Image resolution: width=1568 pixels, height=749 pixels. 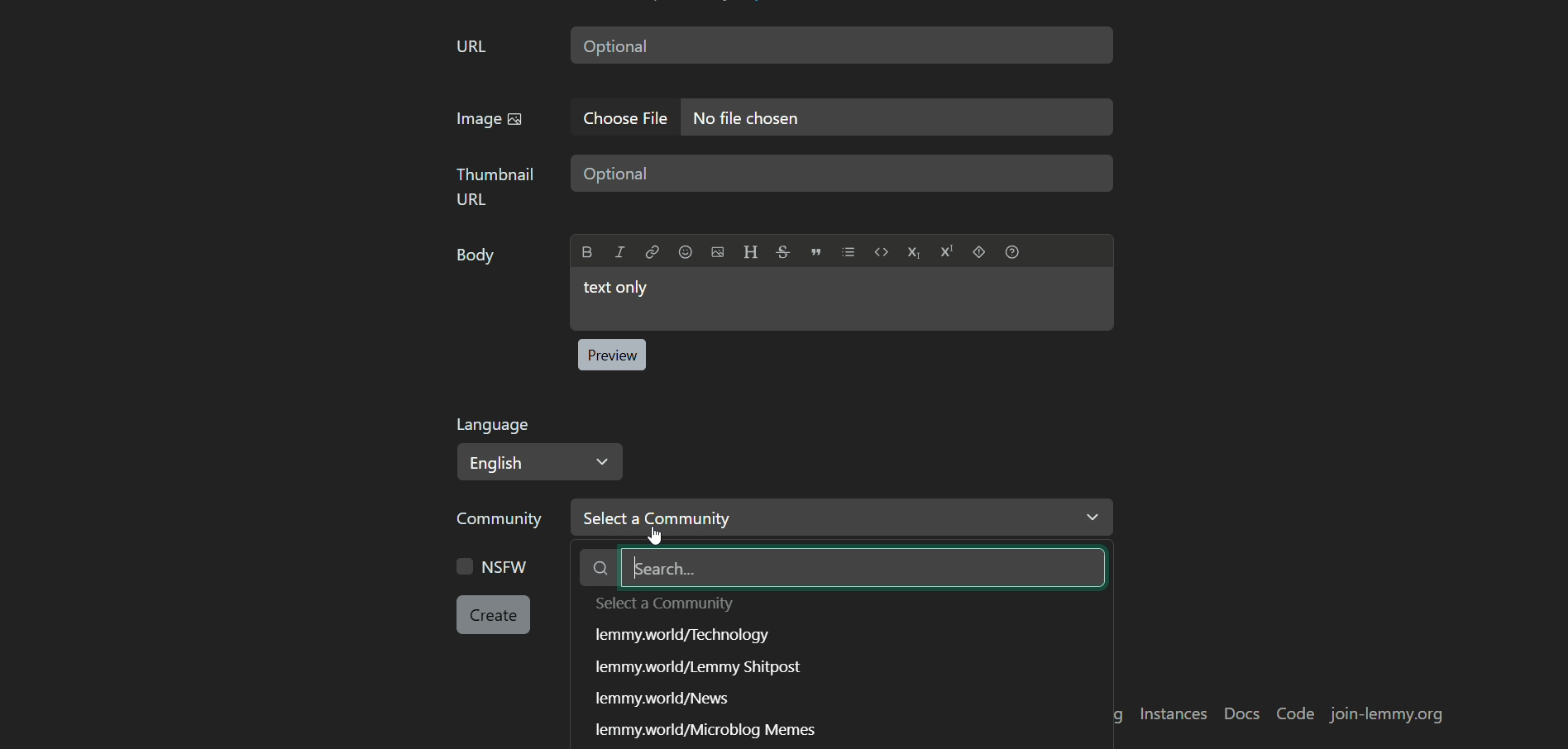 I want to click on select, so click(x=669, y=604).